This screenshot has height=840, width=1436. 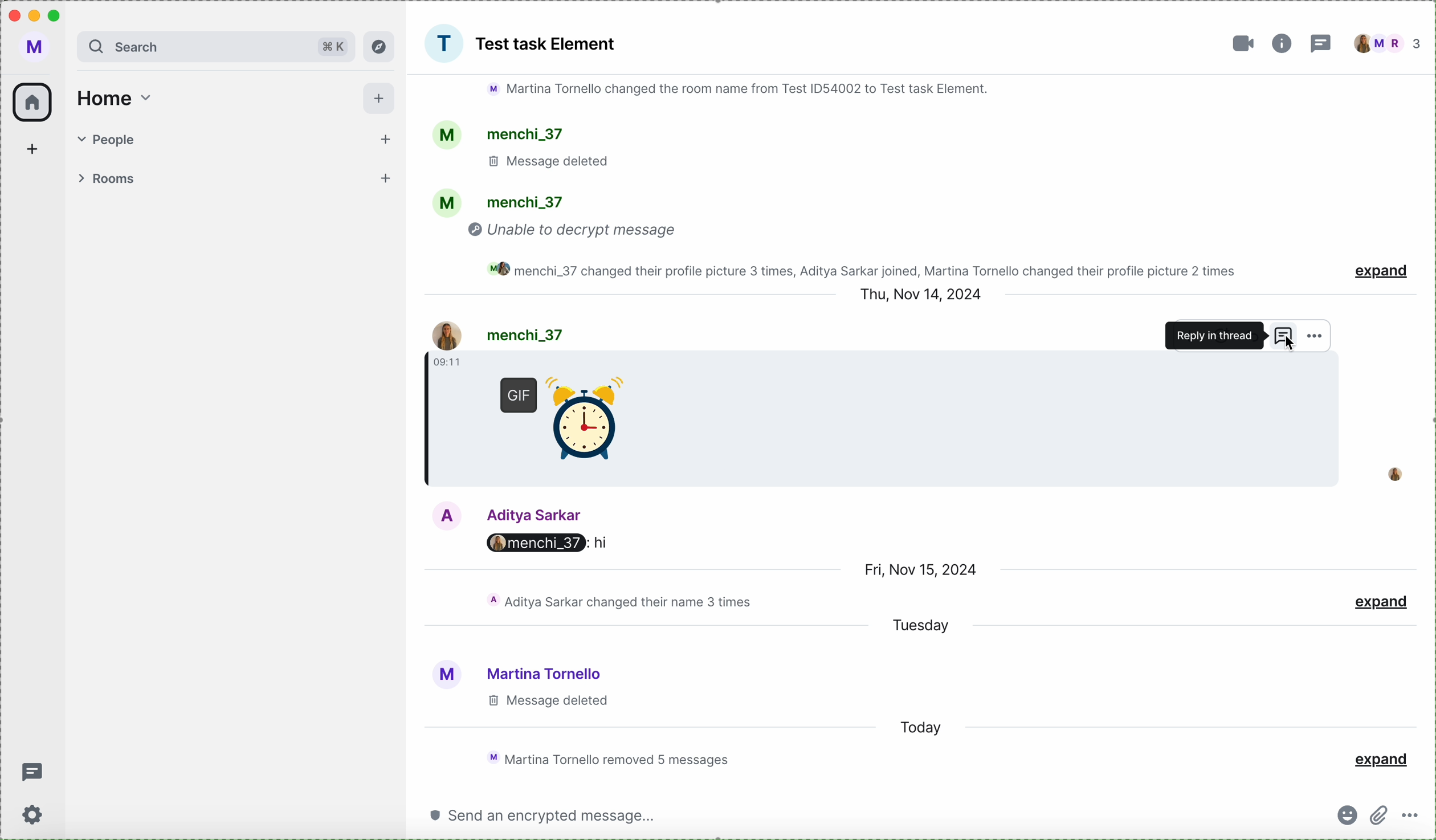 What do you see at coordinates (13, 15) in the screenshot?
I see `close program` at bounding box center [13, 15].